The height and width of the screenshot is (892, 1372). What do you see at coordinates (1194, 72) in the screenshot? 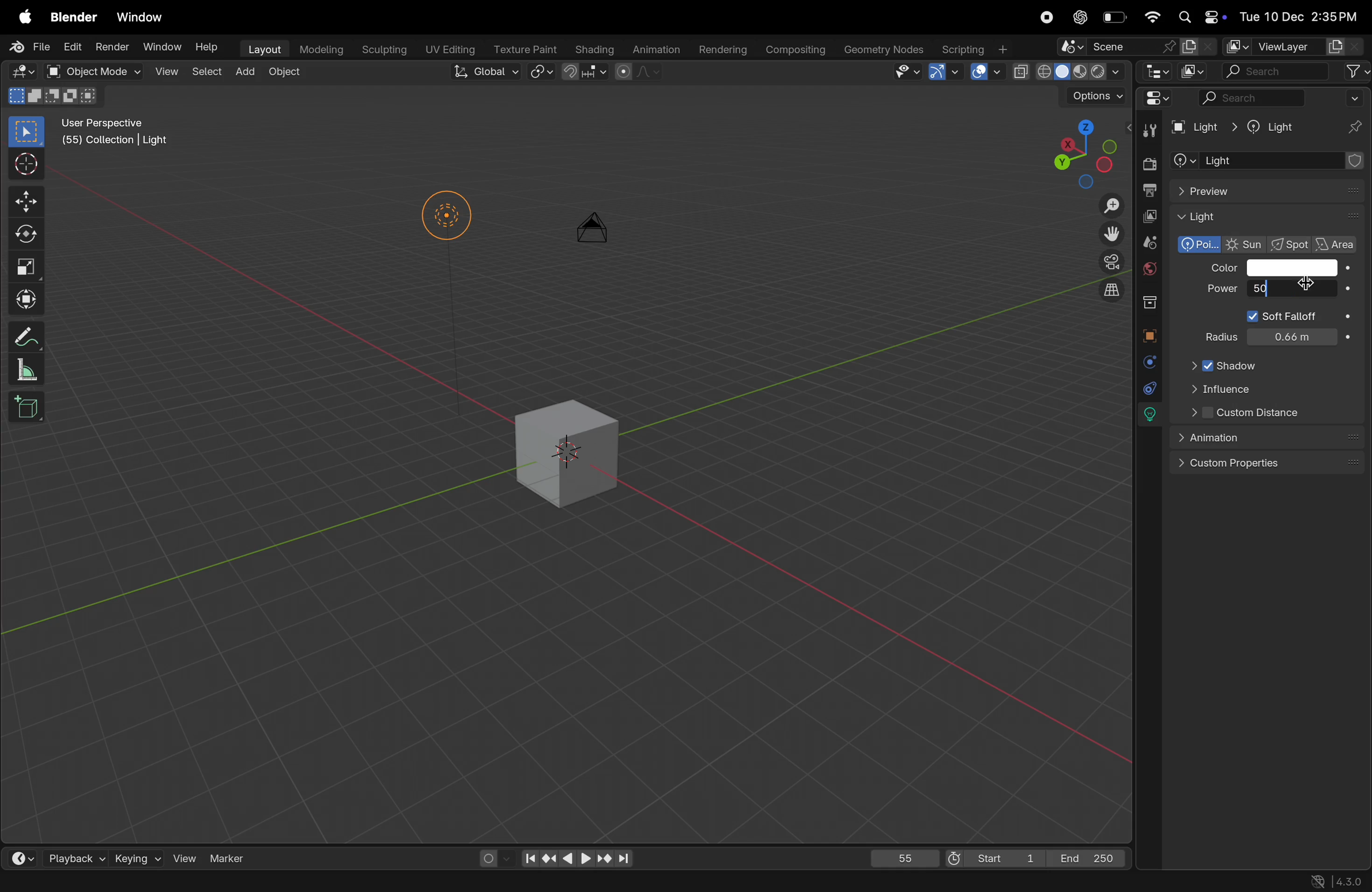
I see `display mode` at bounding box center [1194, 72].